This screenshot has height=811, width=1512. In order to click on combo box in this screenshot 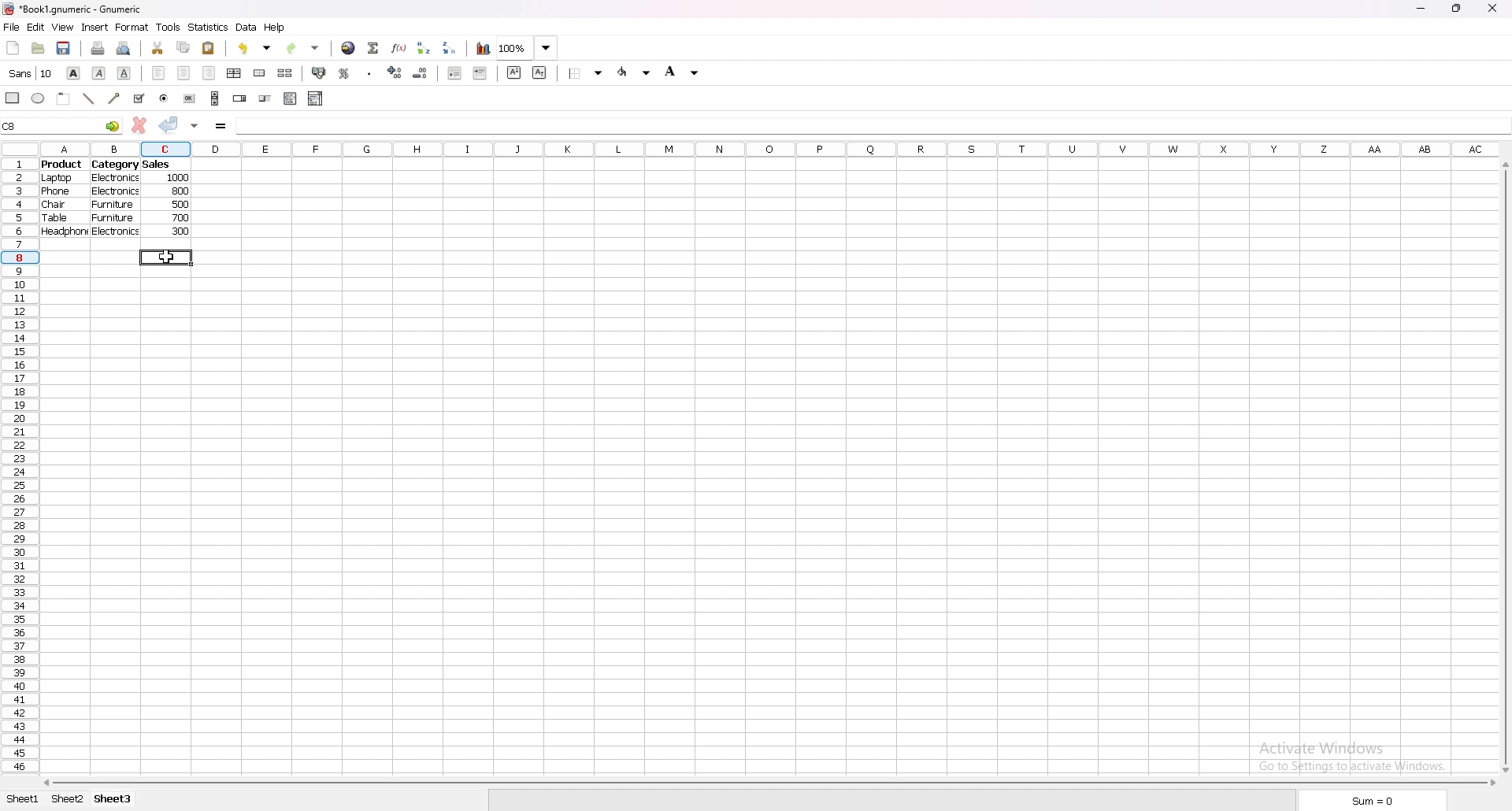, I will do `click(317, 98)`.